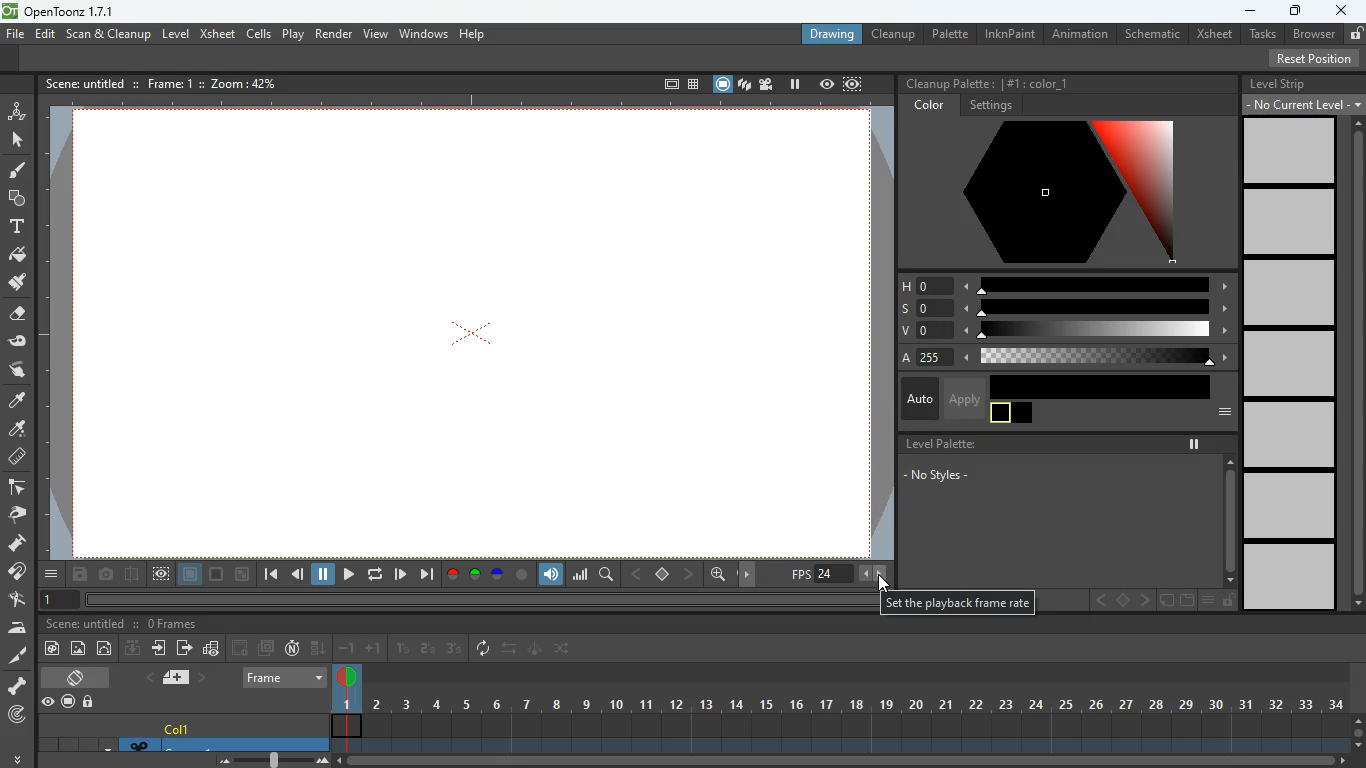 This screenshot has height=768, width=1366. What do you see at coordinates (665, 574) in the screenshot?
I see `center` at bounding box center [665, 574].